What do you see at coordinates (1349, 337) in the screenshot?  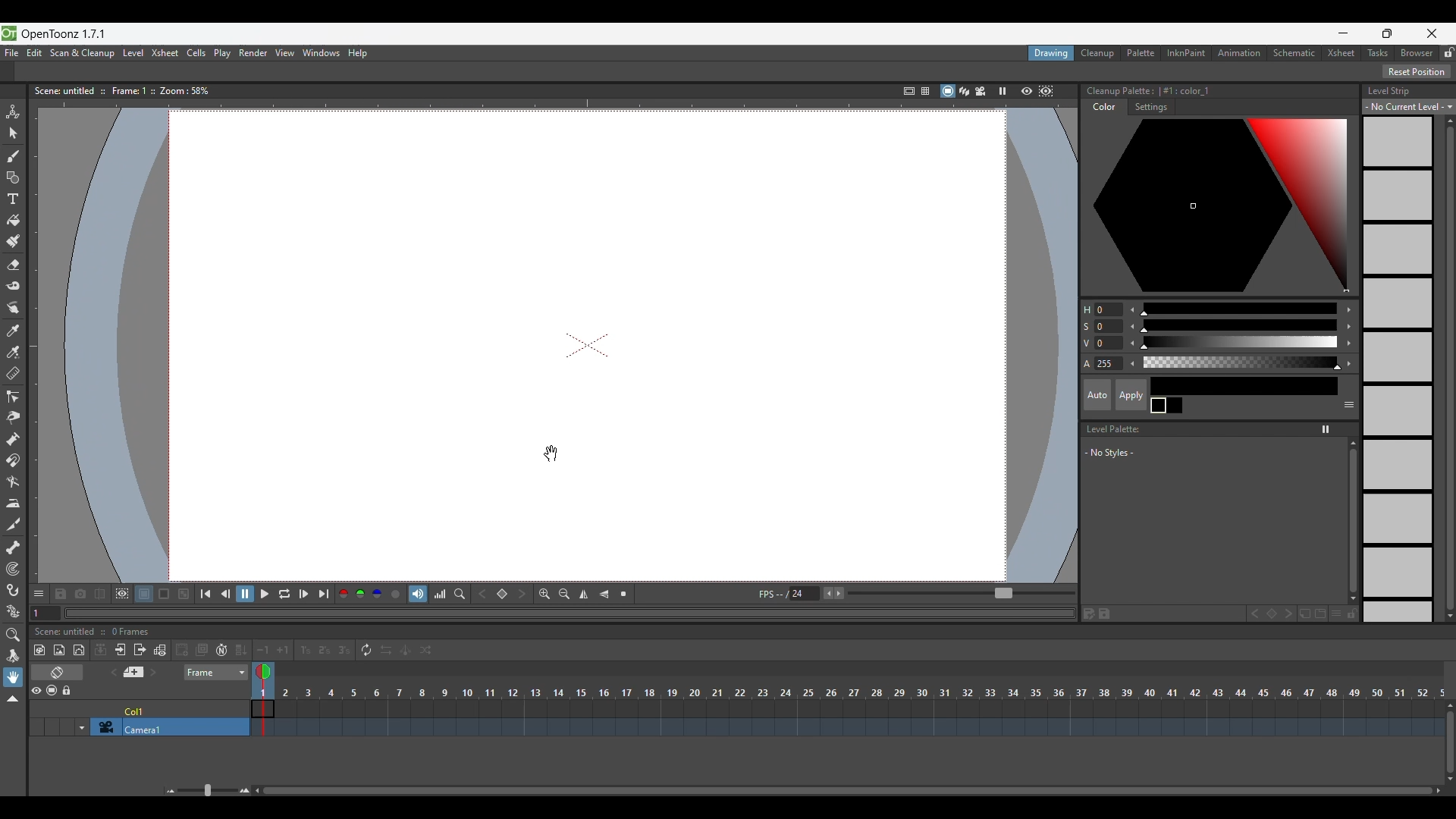 I see `Increase color modification` at bounding box center [1349, 337].